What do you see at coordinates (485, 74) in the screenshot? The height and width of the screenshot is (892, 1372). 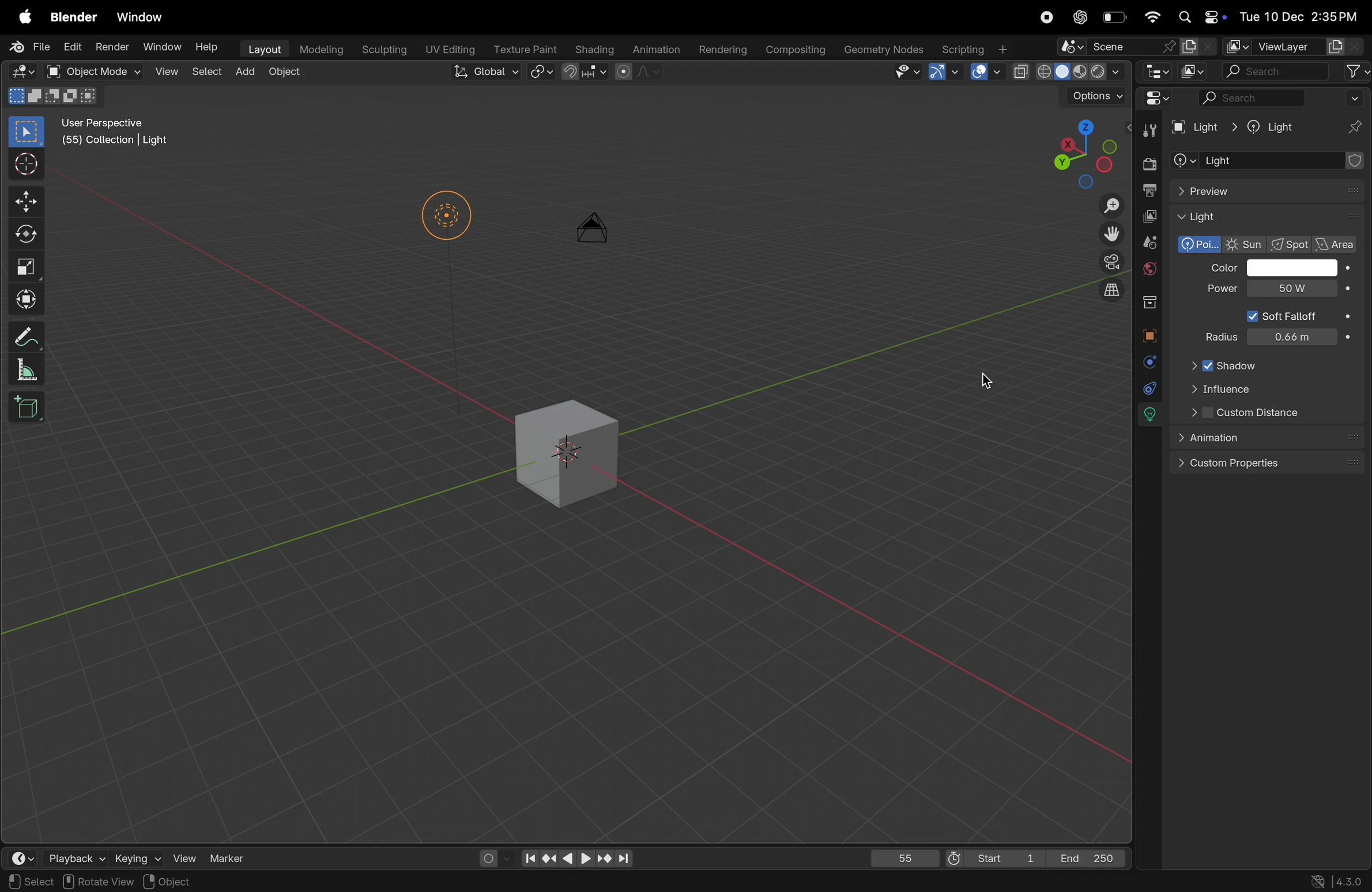 I see `Global` at bounding box center [485, 74].